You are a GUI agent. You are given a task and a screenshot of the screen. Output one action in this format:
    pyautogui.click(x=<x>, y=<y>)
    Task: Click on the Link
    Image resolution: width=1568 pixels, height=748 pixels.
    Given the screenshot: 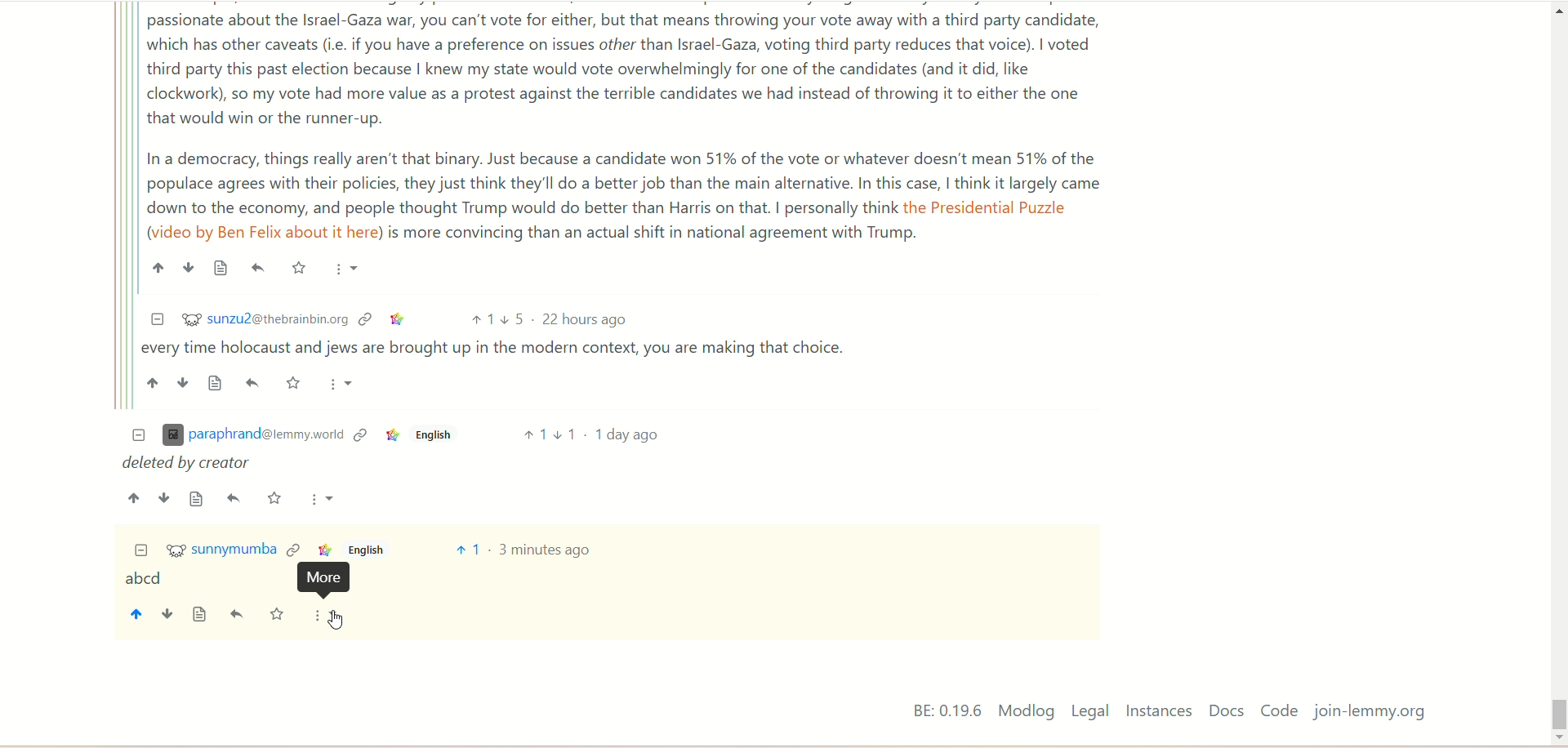 What is the action you would take?
    pyautogui.click(x=366, y=319)
    